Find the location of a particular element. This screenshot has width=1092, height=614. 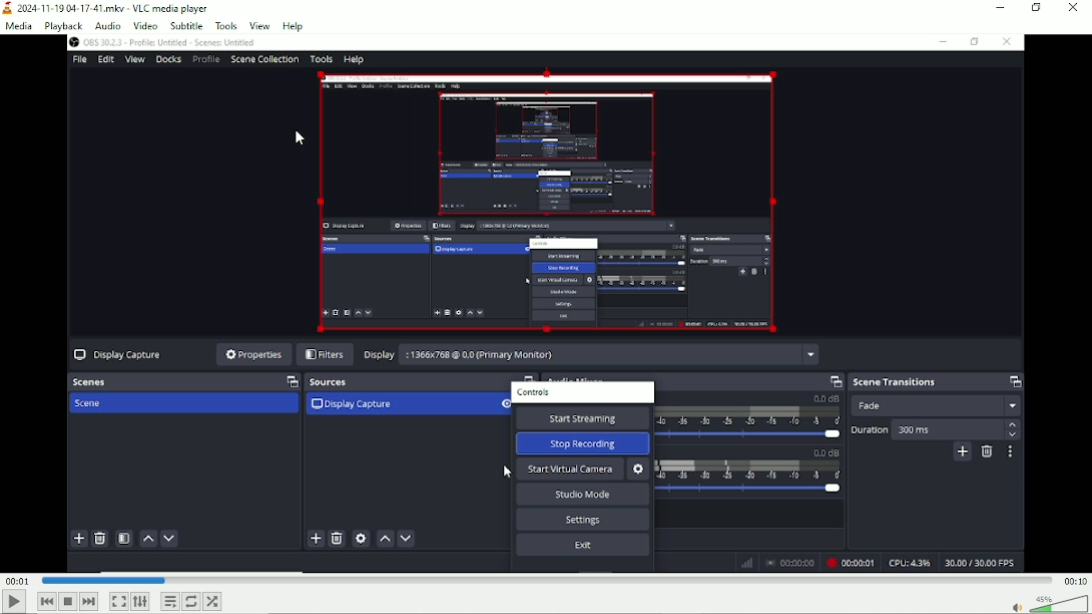

Video is located at coordinates (145, 26).